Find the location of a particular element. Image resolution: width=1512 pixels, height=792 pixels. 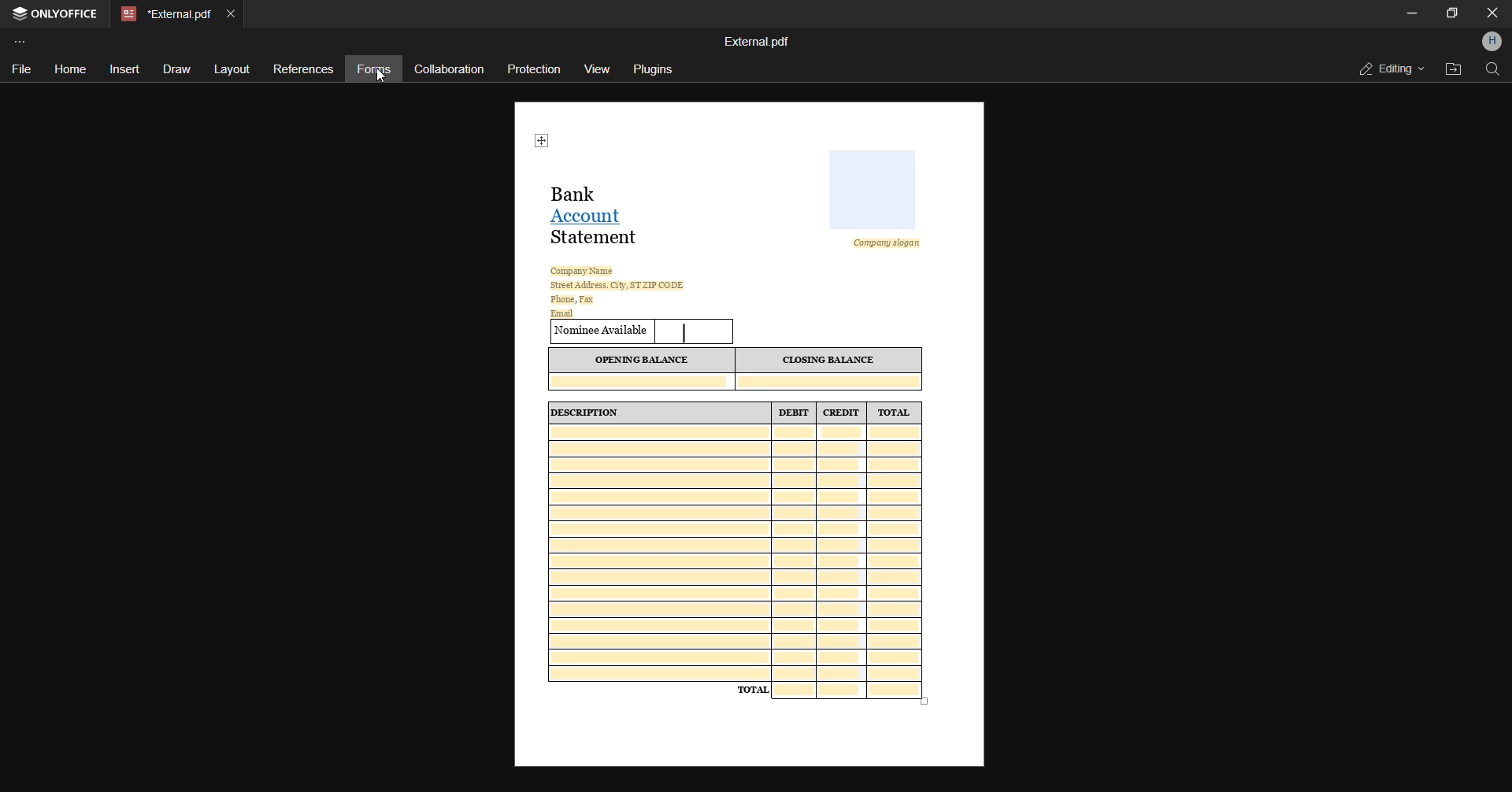

current open form is located at coordinates (750, 433).